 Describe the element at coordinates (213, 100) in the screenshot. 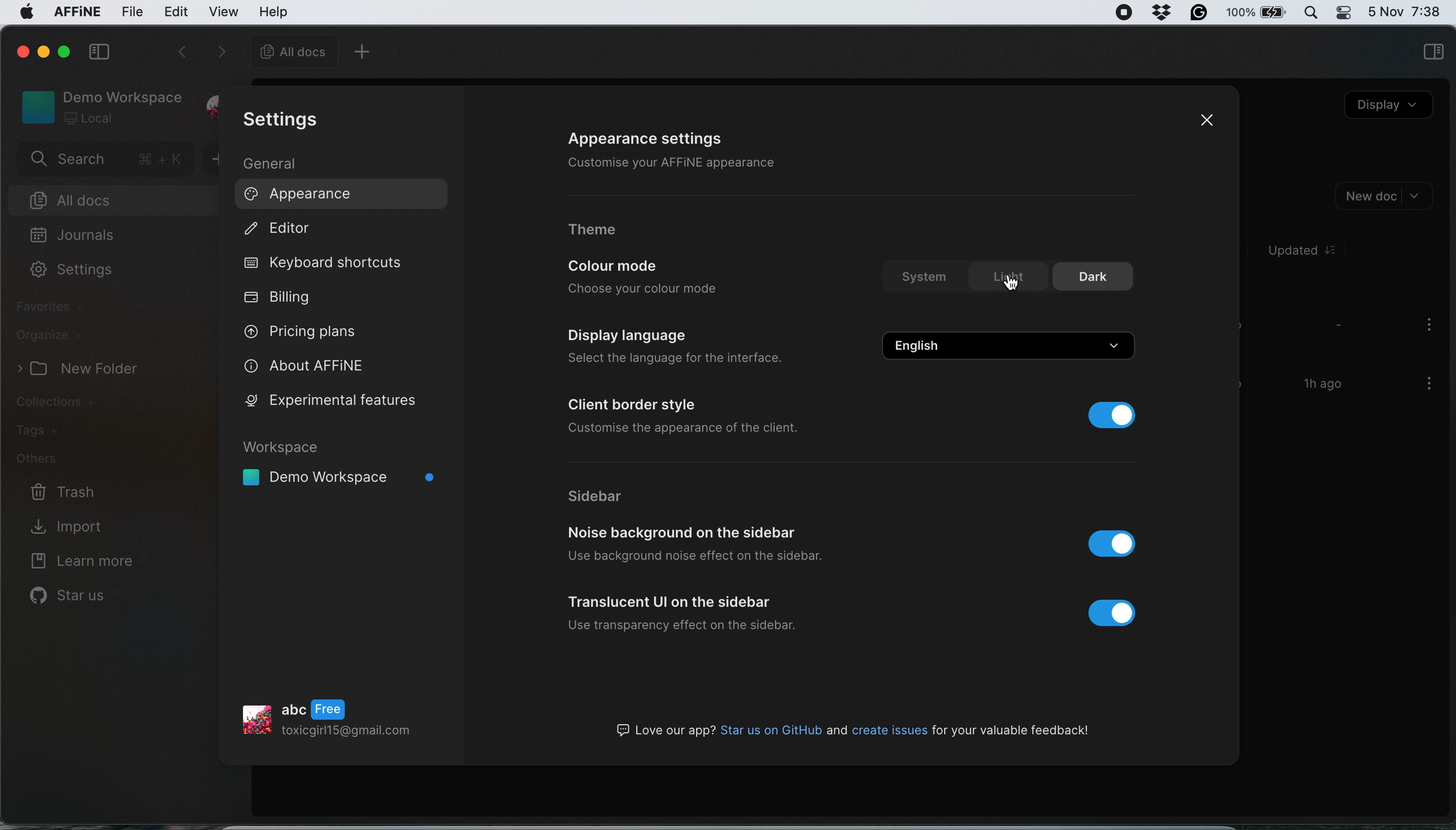

I see `profile` at that location.